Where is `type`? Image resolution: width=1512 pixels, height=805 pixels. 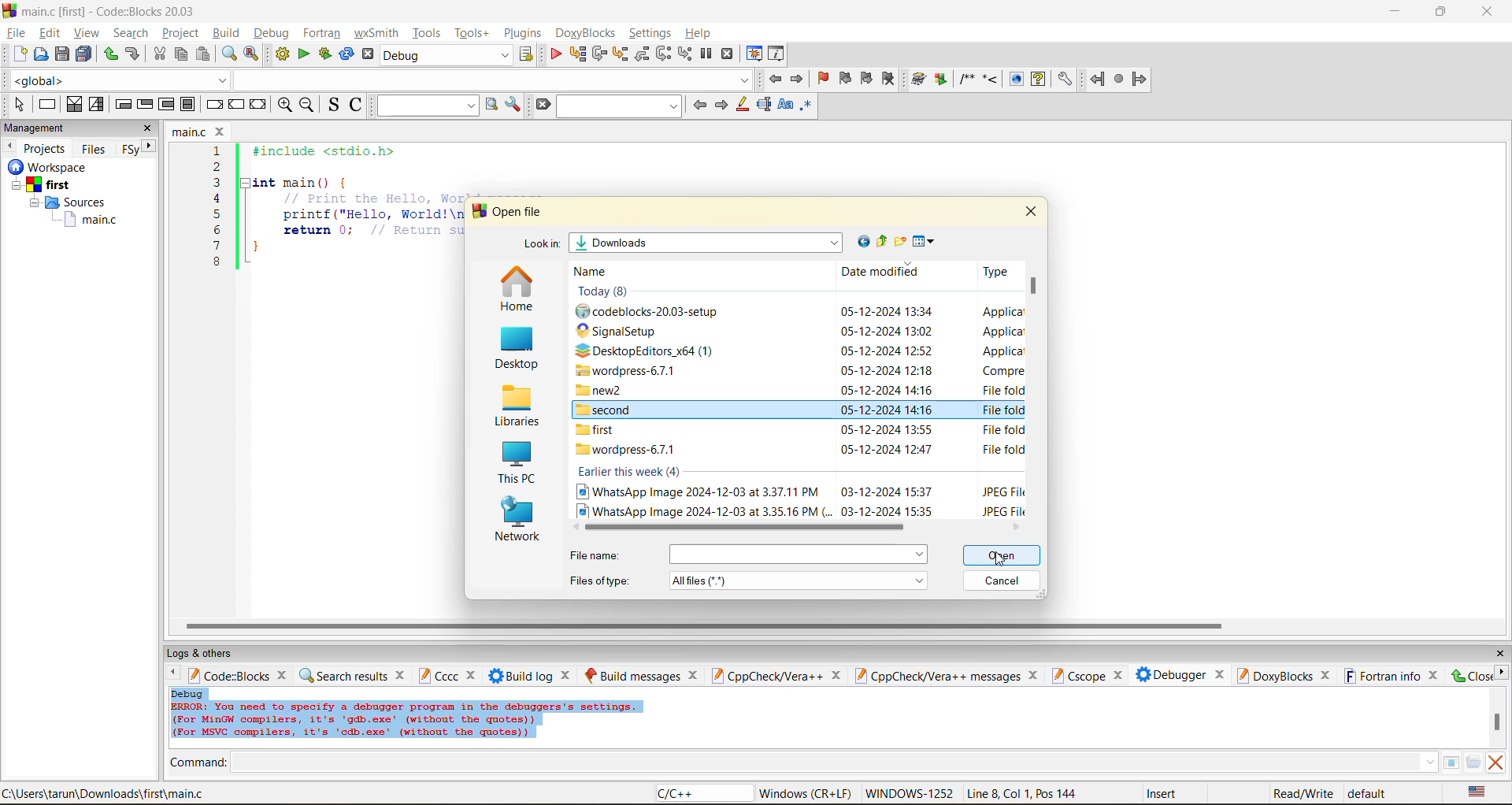
type is located at coordinates (1003, 491).